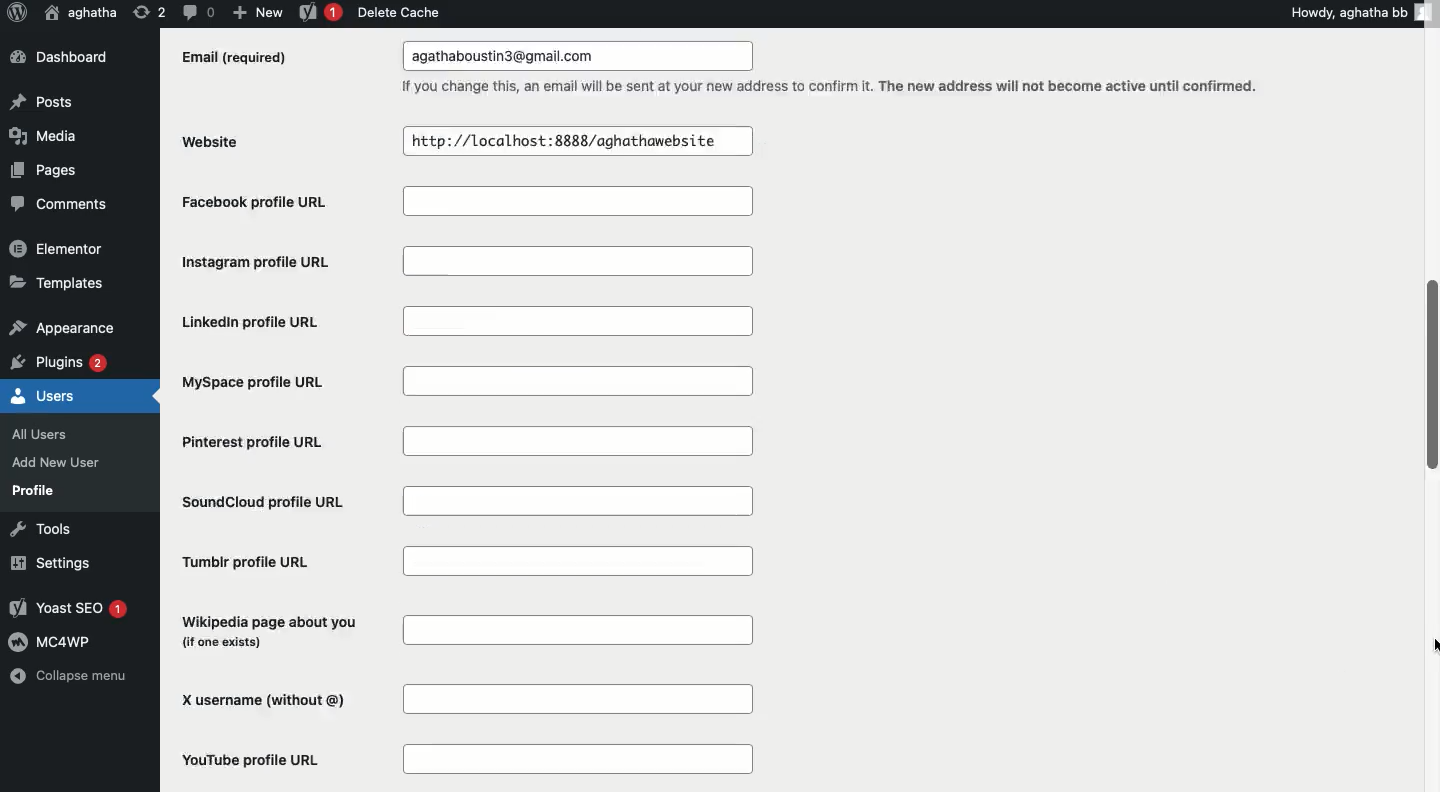  Describe the element at coordinates (46, 169) in the screenshot. I see `Pages` at that location.